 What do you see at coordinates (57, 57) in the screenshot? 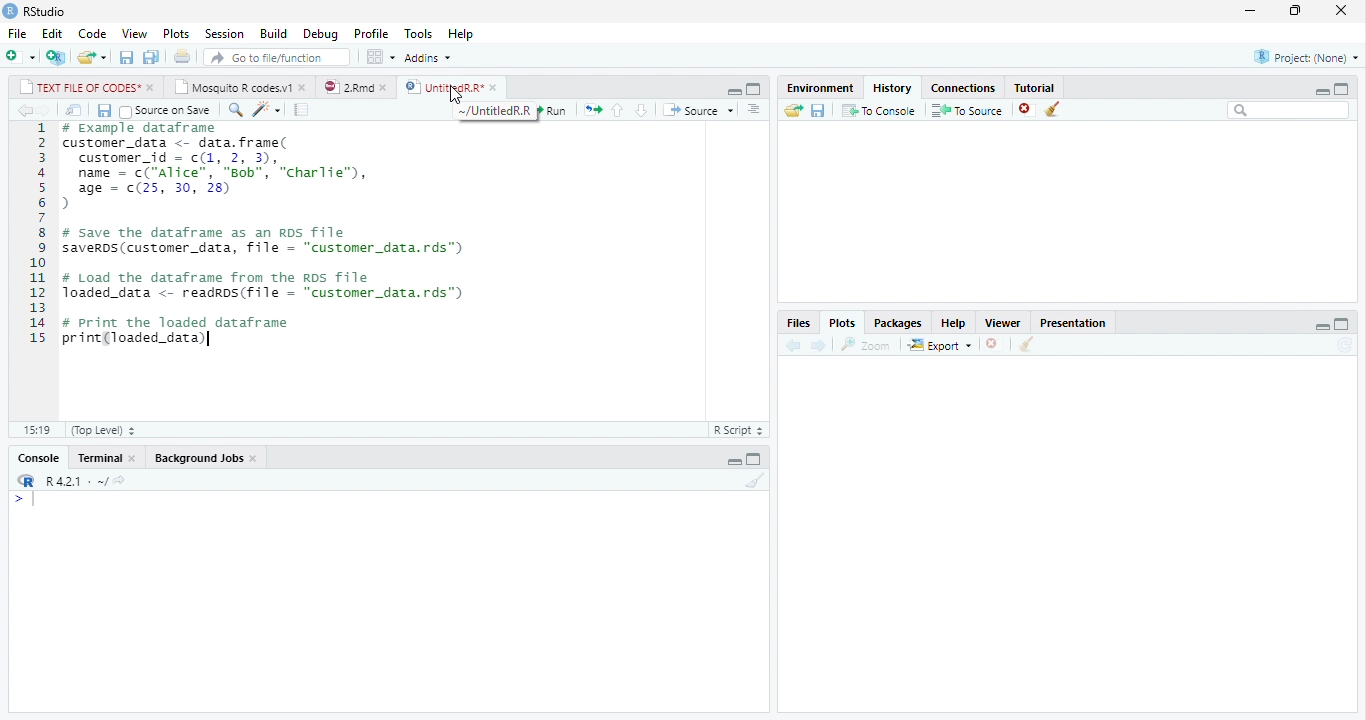
I see `new project` at bounding box center [57, 57].